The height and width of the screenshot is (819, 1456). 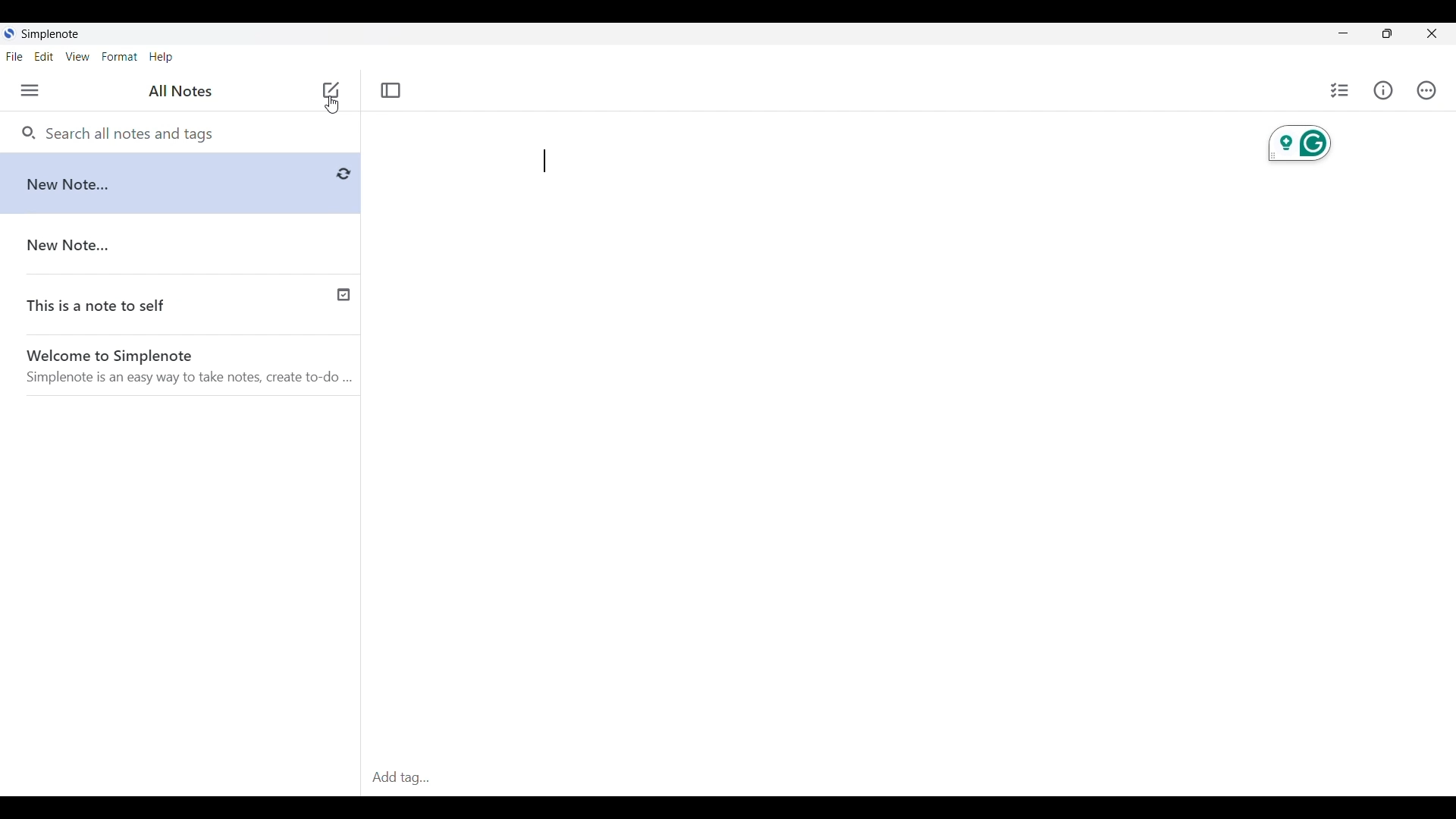 What do you see at coordinates (14, 56) in the screenshot?
I see `File menu` at bounding box center [14, 56].